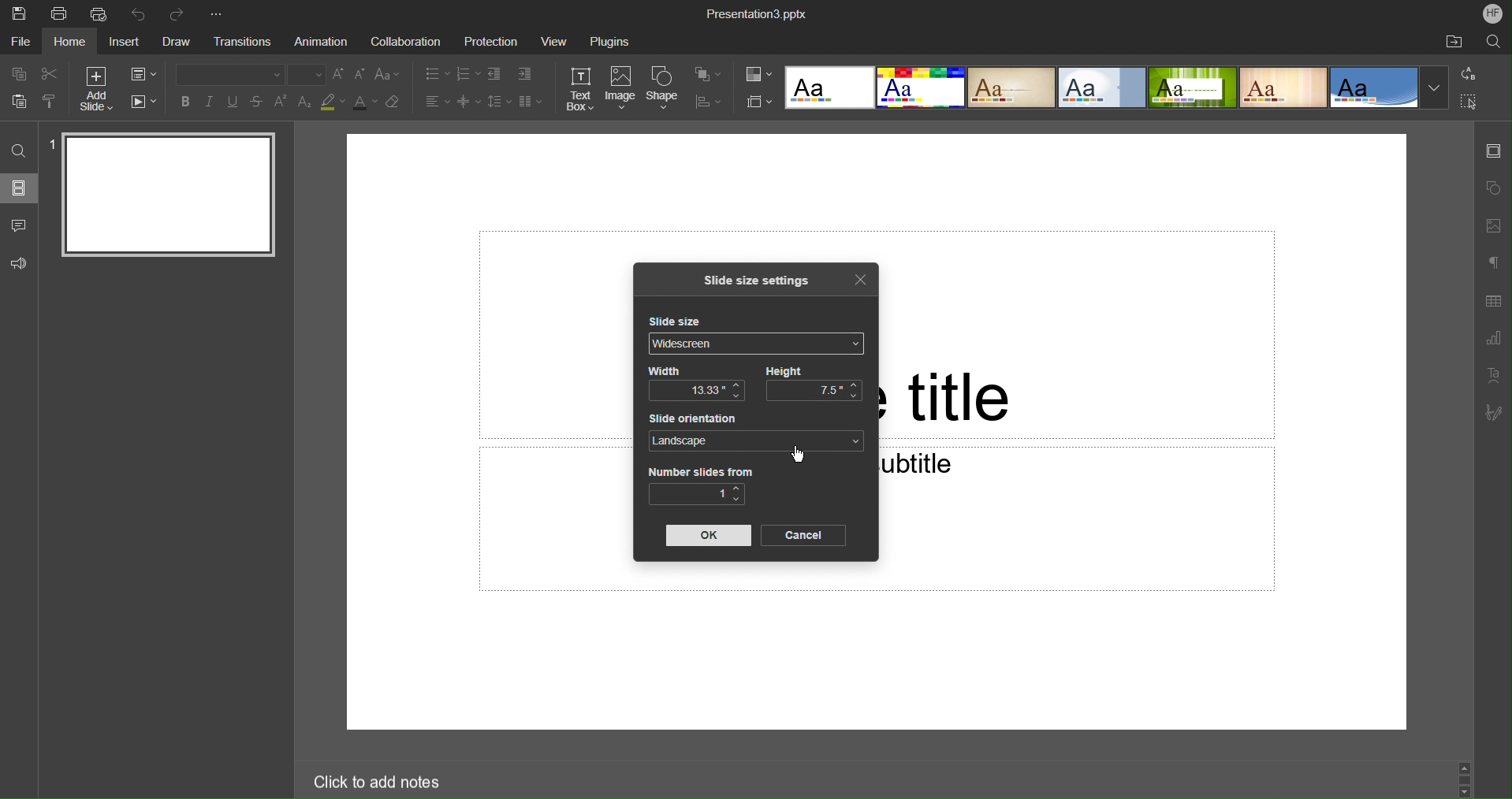  Describe the element at coordinates (145, 102) in the screenshot. I see `Playback` at that location.